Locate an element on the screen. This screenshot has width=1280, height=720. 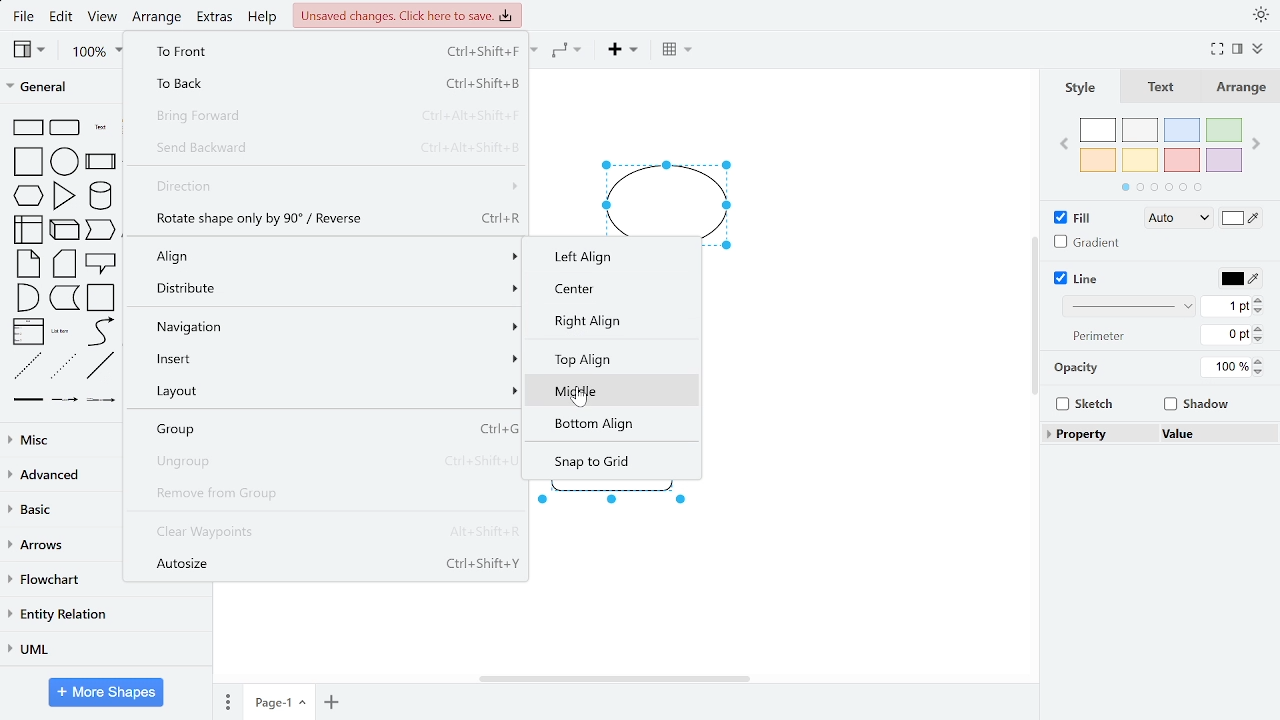
Connector with 2 label is located at coordinates (101, 404).